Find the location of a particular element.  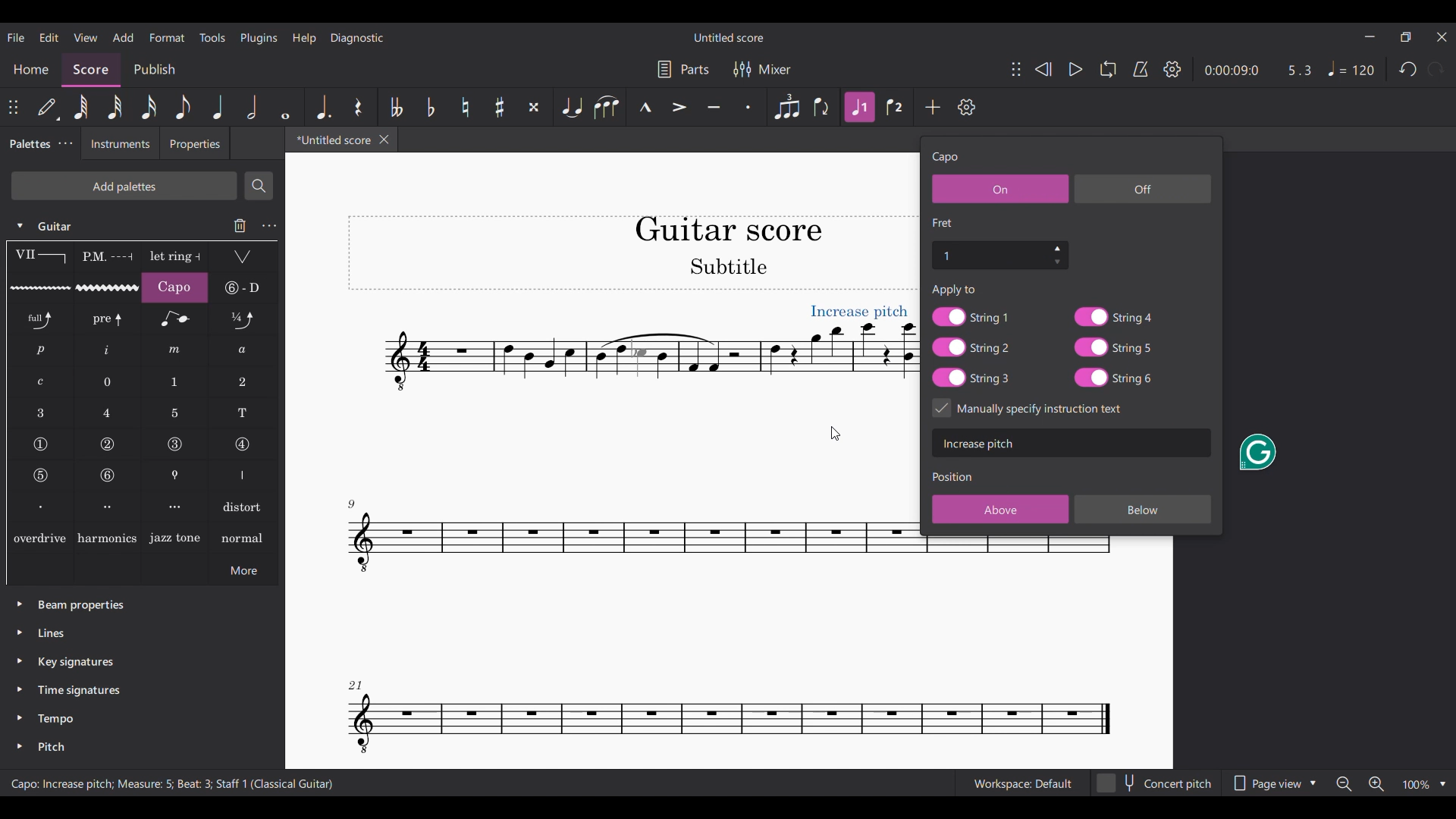

String number 6 is located at coordinates (108, 475).